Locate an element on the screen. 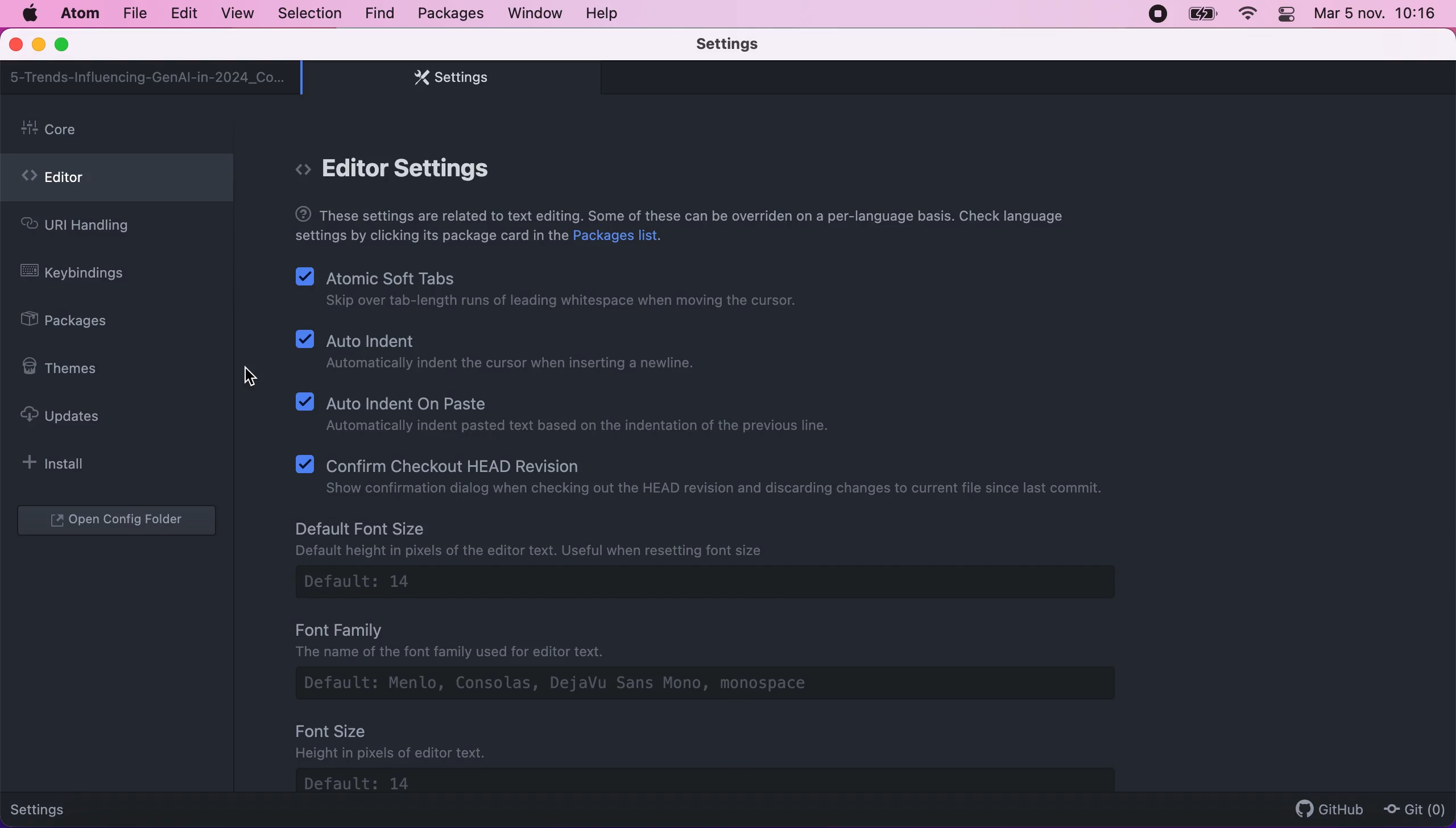 This screenshot has height=828, width=1456. themes is located at coordinates (67, 368).